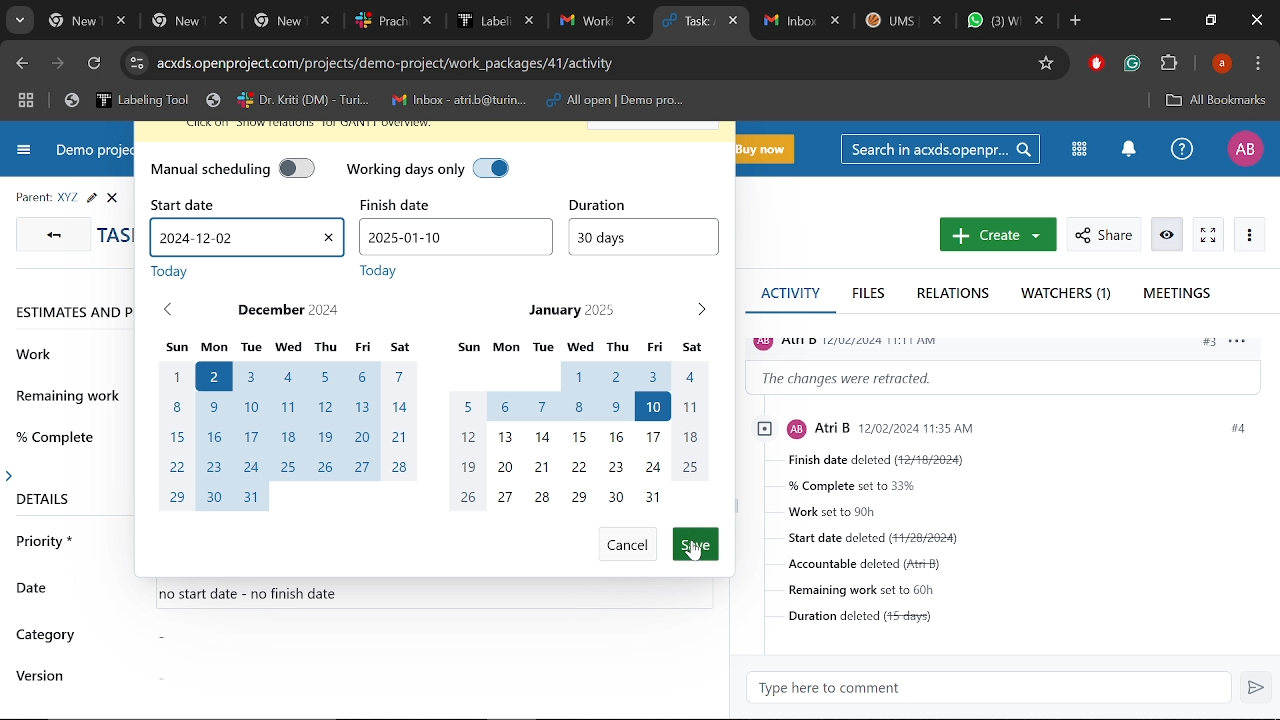 The height and width of the screenshot is (720, 1280). What do you see at coordinates (728, 569) in the screenshot?
I see `scrollbar` at bounding box center [728, 569].